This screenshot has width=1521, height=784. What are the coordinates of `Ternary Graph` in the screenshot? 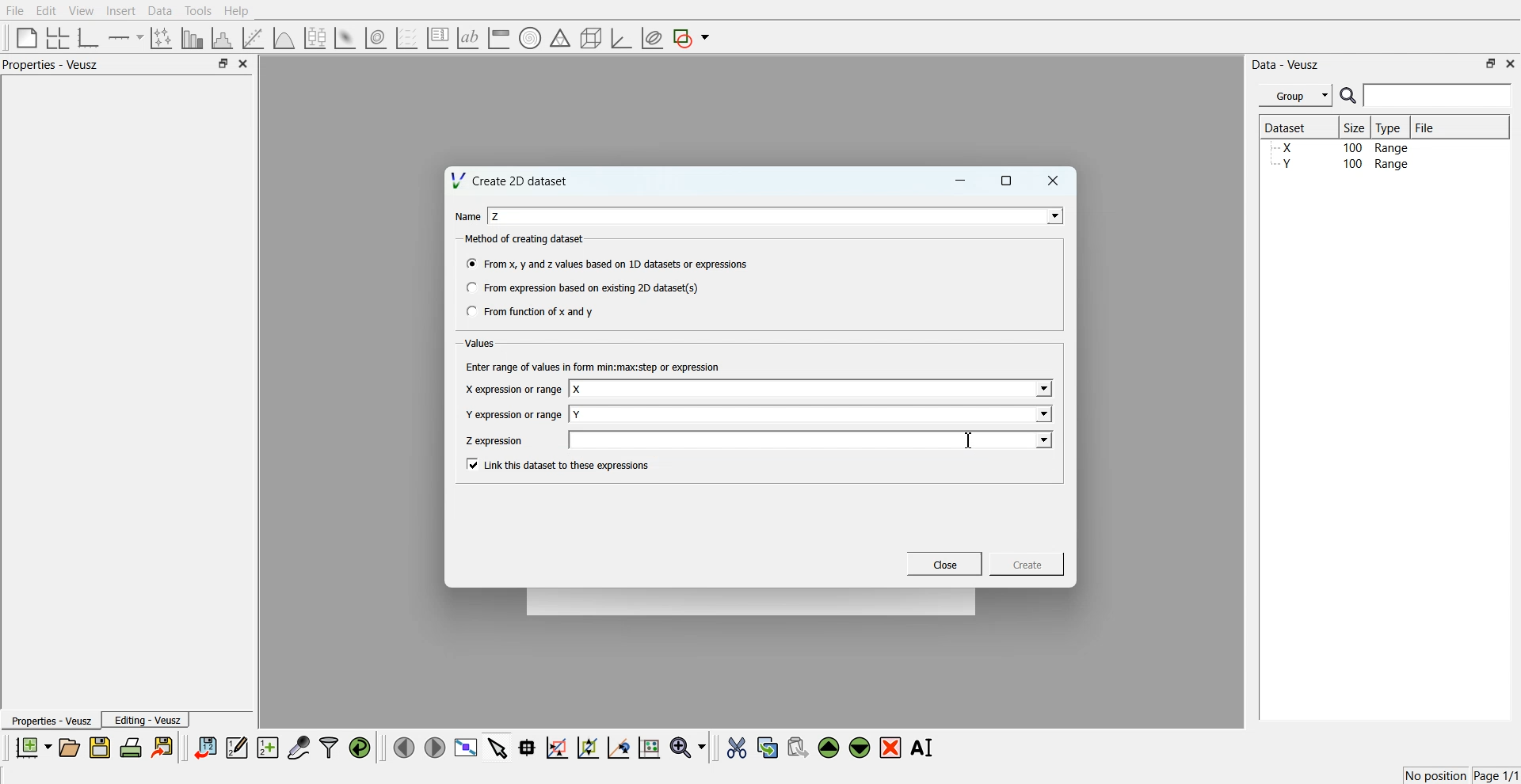 It's located at (560, 37).